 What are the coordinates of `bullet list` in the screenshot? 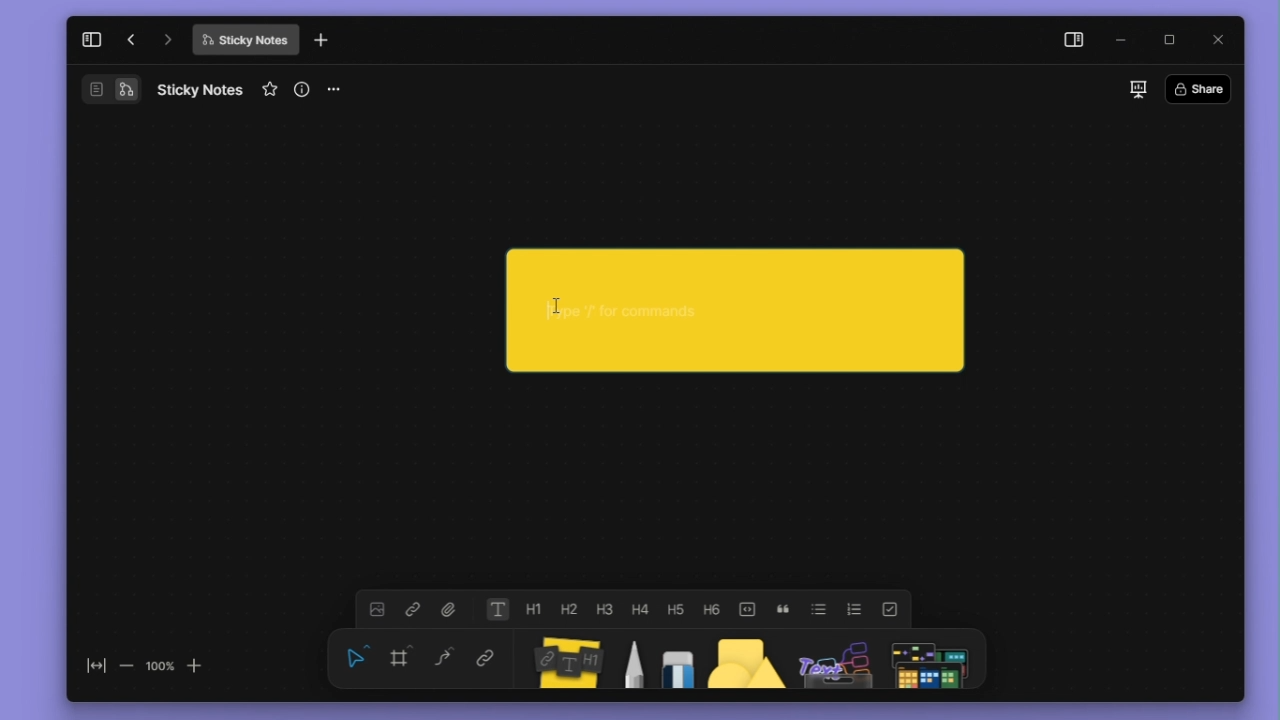 It's located at (822, 611).